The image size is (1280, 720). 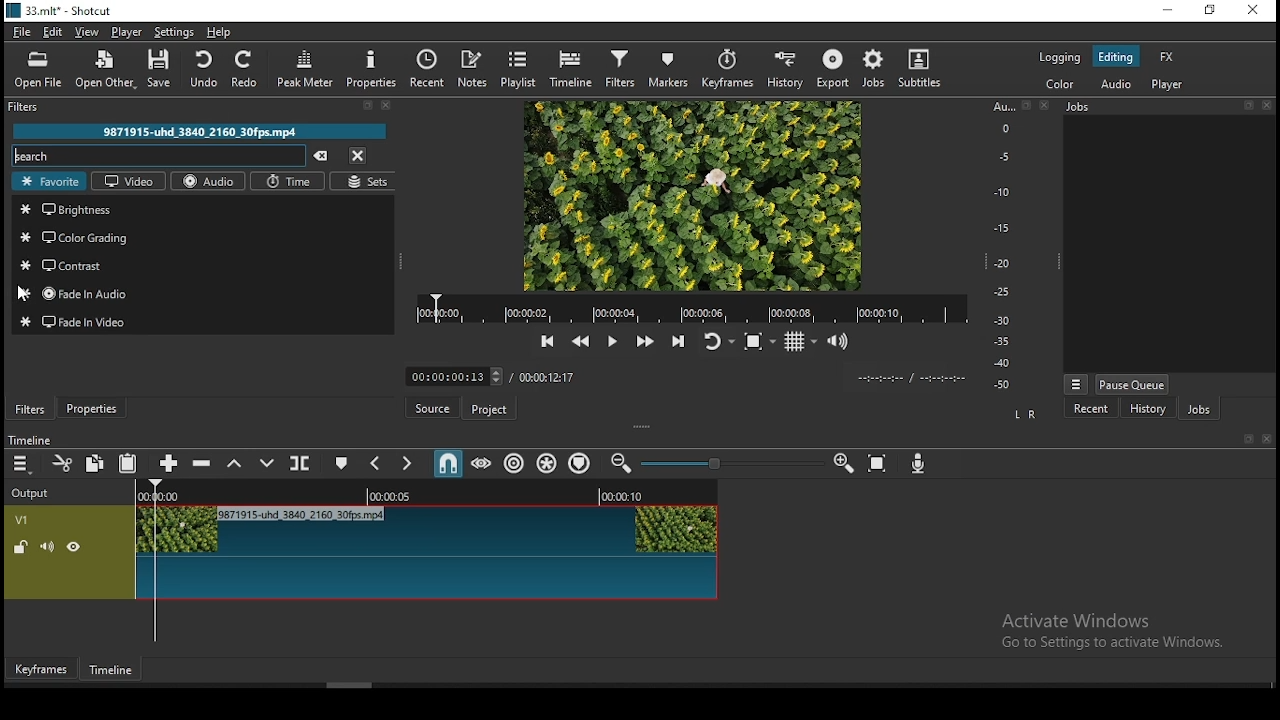 I want to click on timeline, so click(x=575, y=68).